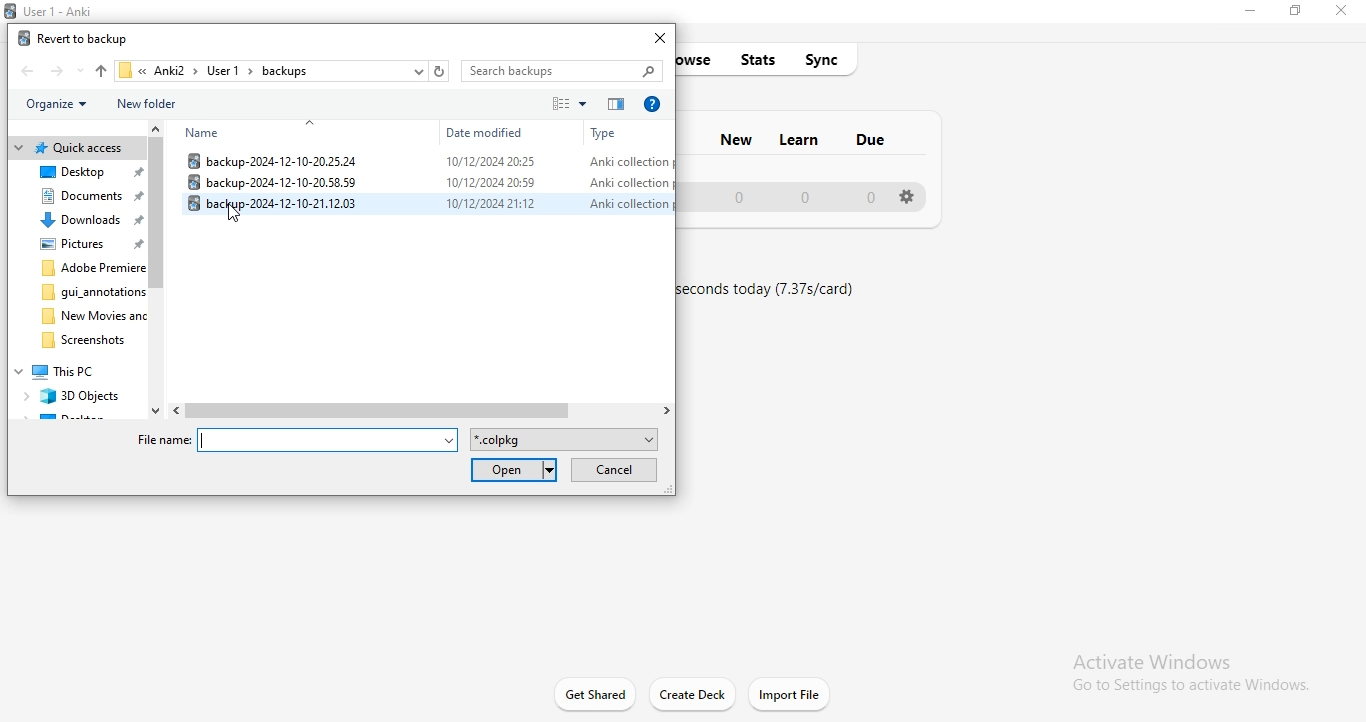 The image size is (1366, 722). What do you see at coordinates (569, 105) in the screenshot?
I see `sort` at bounding box center [569, 105].